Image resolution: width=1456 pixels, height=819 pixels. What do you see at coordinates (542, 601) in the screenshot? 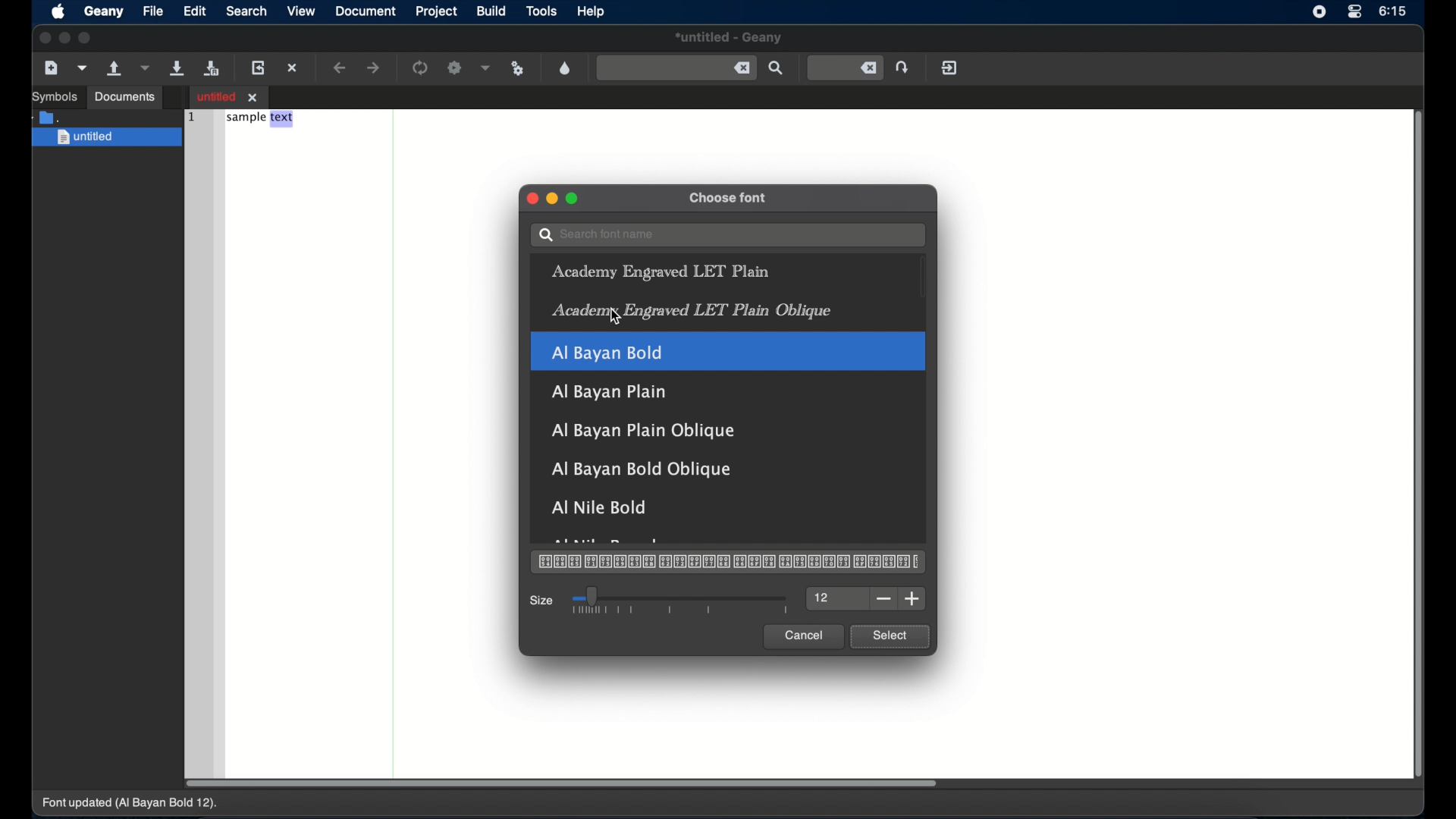
I see `size` at bounding box center [542, 601].